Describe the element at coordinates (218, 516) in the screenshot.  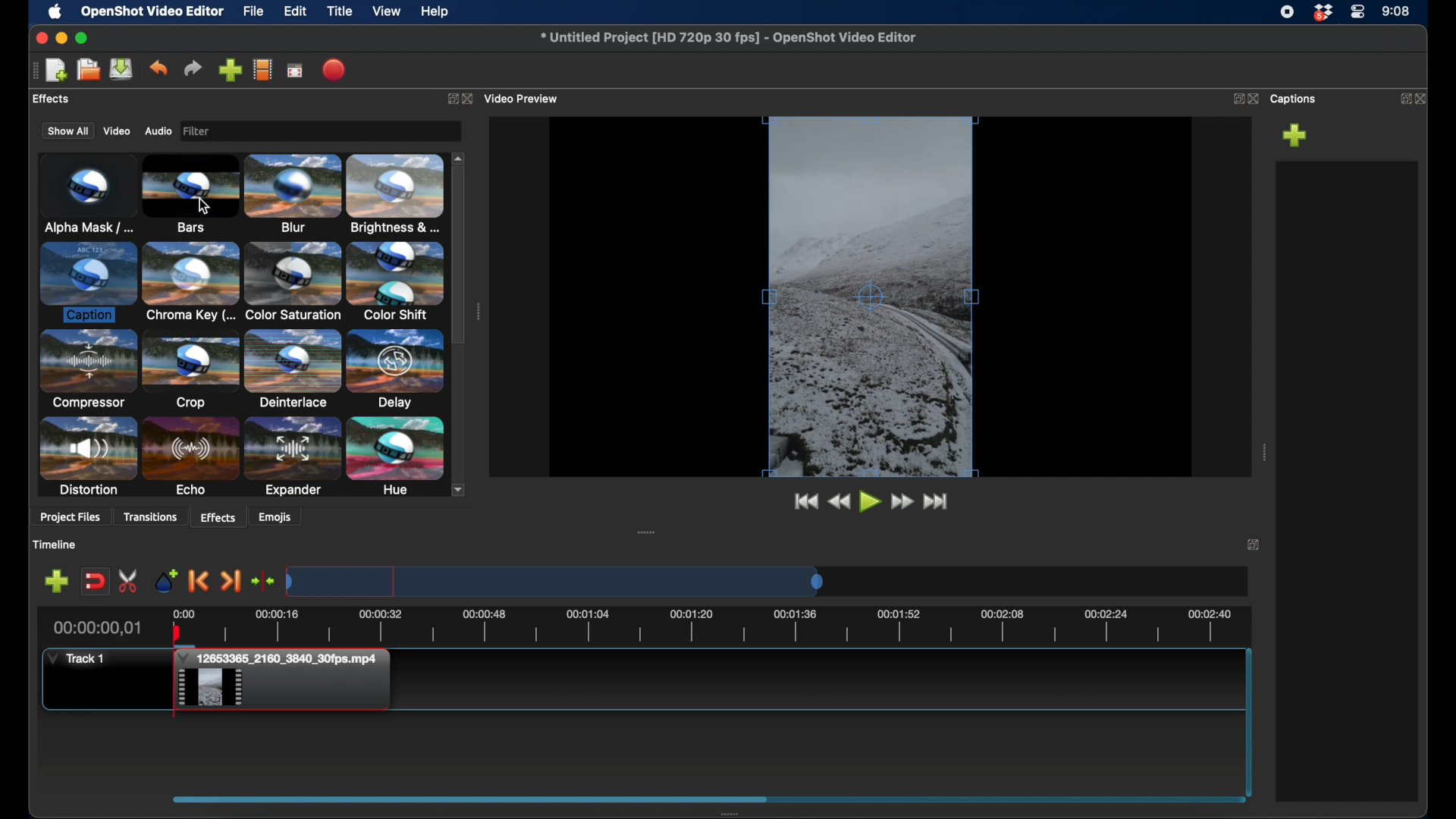
I see `effects` at that location.